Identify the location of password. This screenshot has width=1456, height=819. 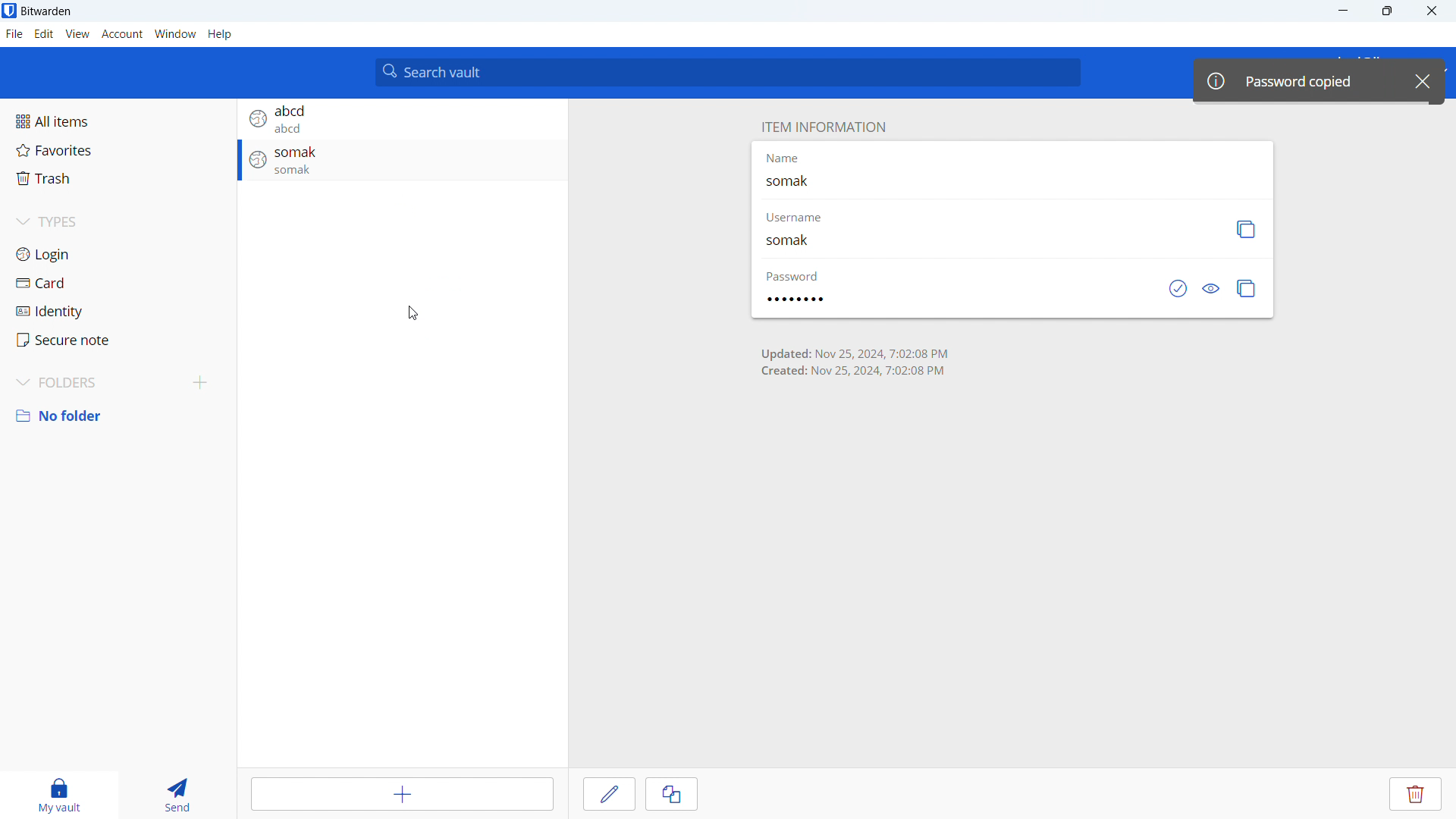
(795, 299).